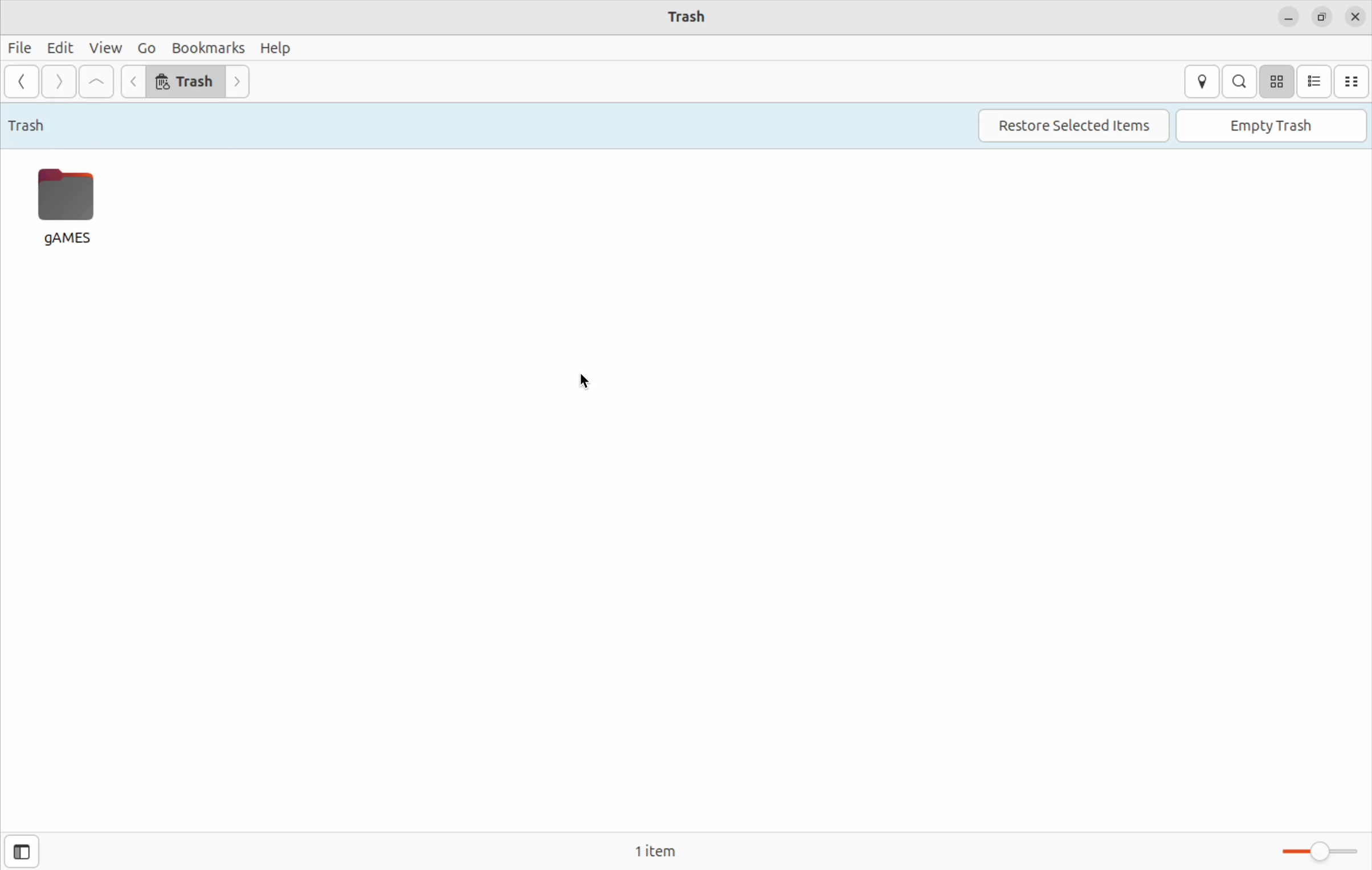  What do you see at coordinates (1074, 125) in the screenshot?
I see `restore selected items` at bounding box center [1074, 125].